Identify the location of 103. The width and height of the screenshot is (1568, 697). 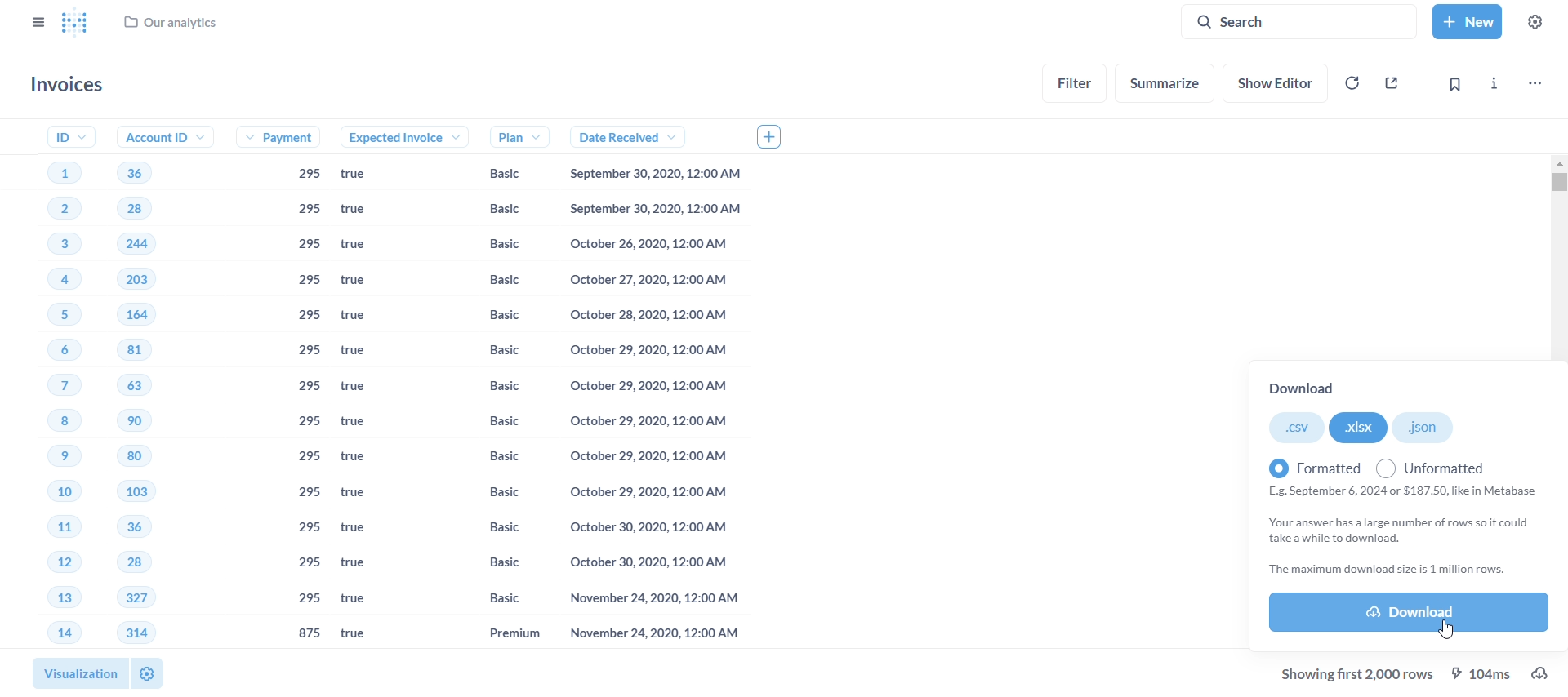
(140, 492).